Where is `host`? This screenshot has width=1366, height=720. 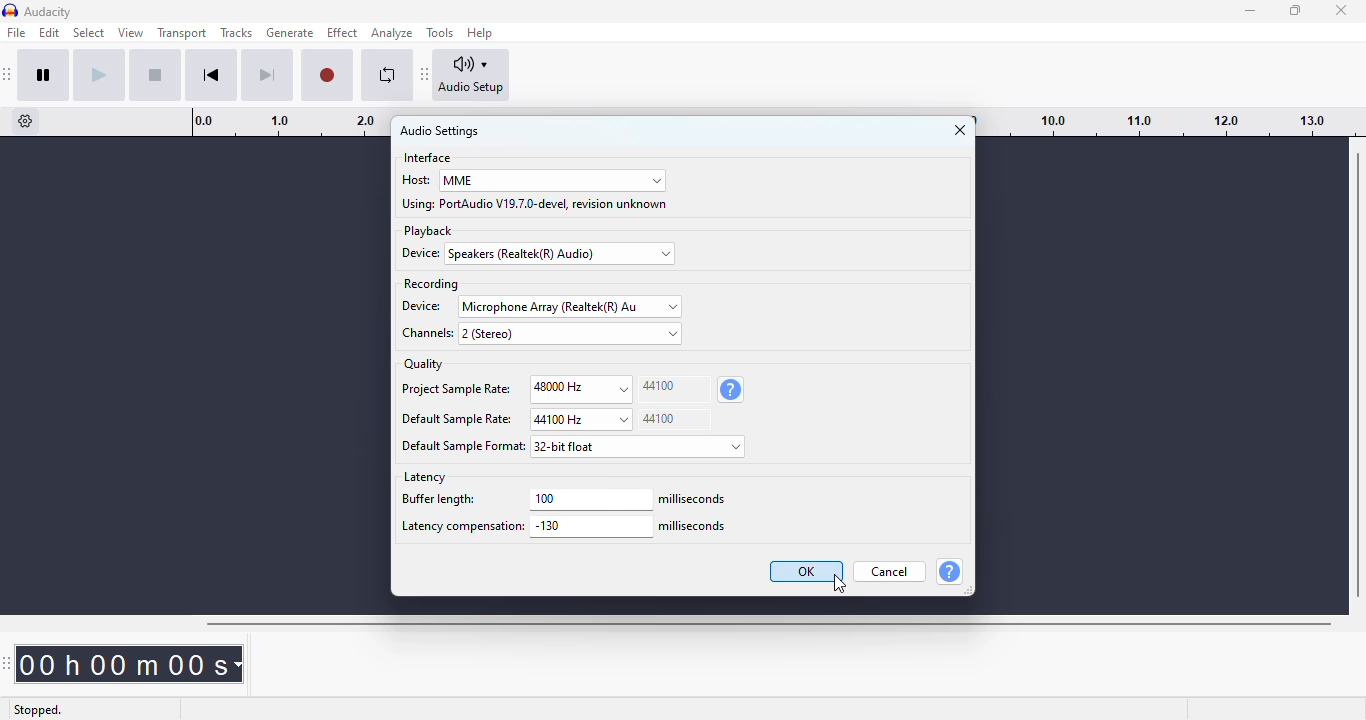
host is located at coordinates (415, 179).